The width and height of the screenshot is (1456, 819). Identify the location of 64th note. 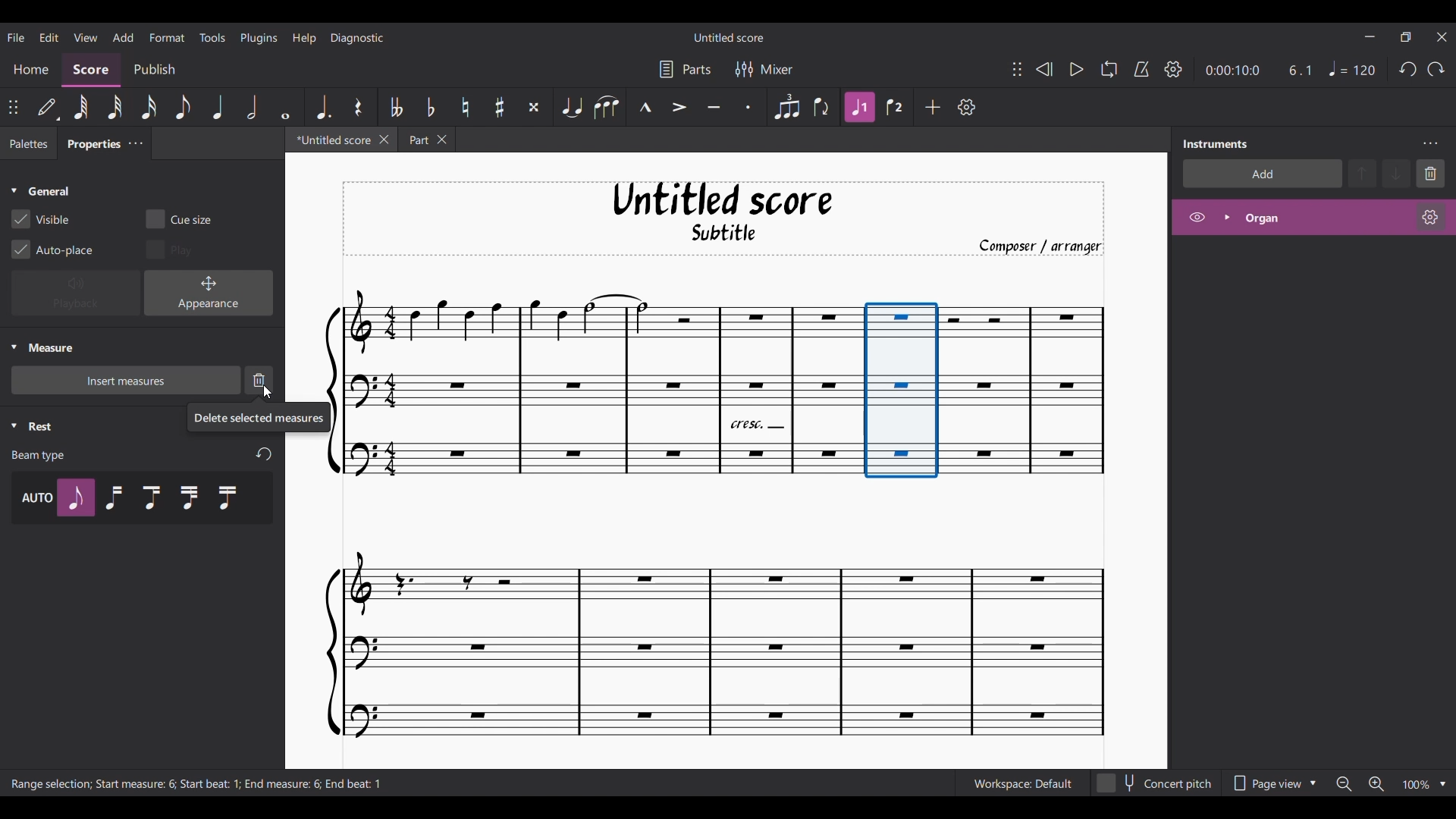
(80, 107).